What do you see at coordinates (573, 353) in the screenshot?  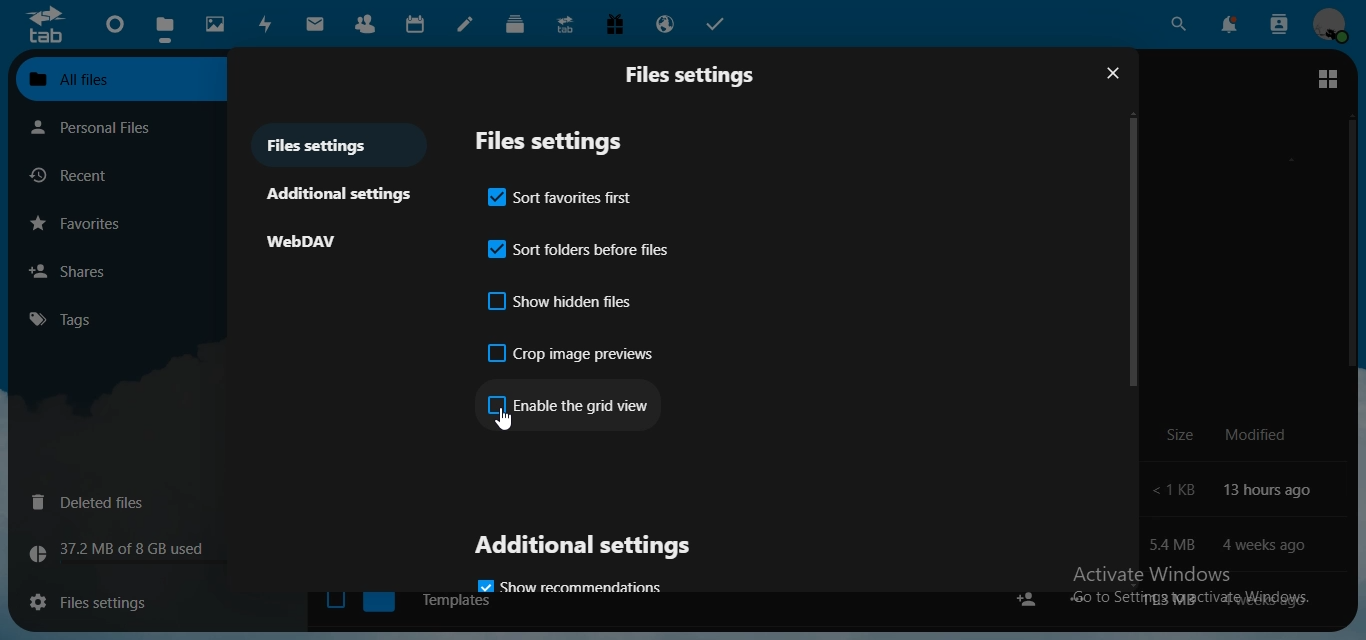 I see `crop image previews` at bounding box center [573, 353].